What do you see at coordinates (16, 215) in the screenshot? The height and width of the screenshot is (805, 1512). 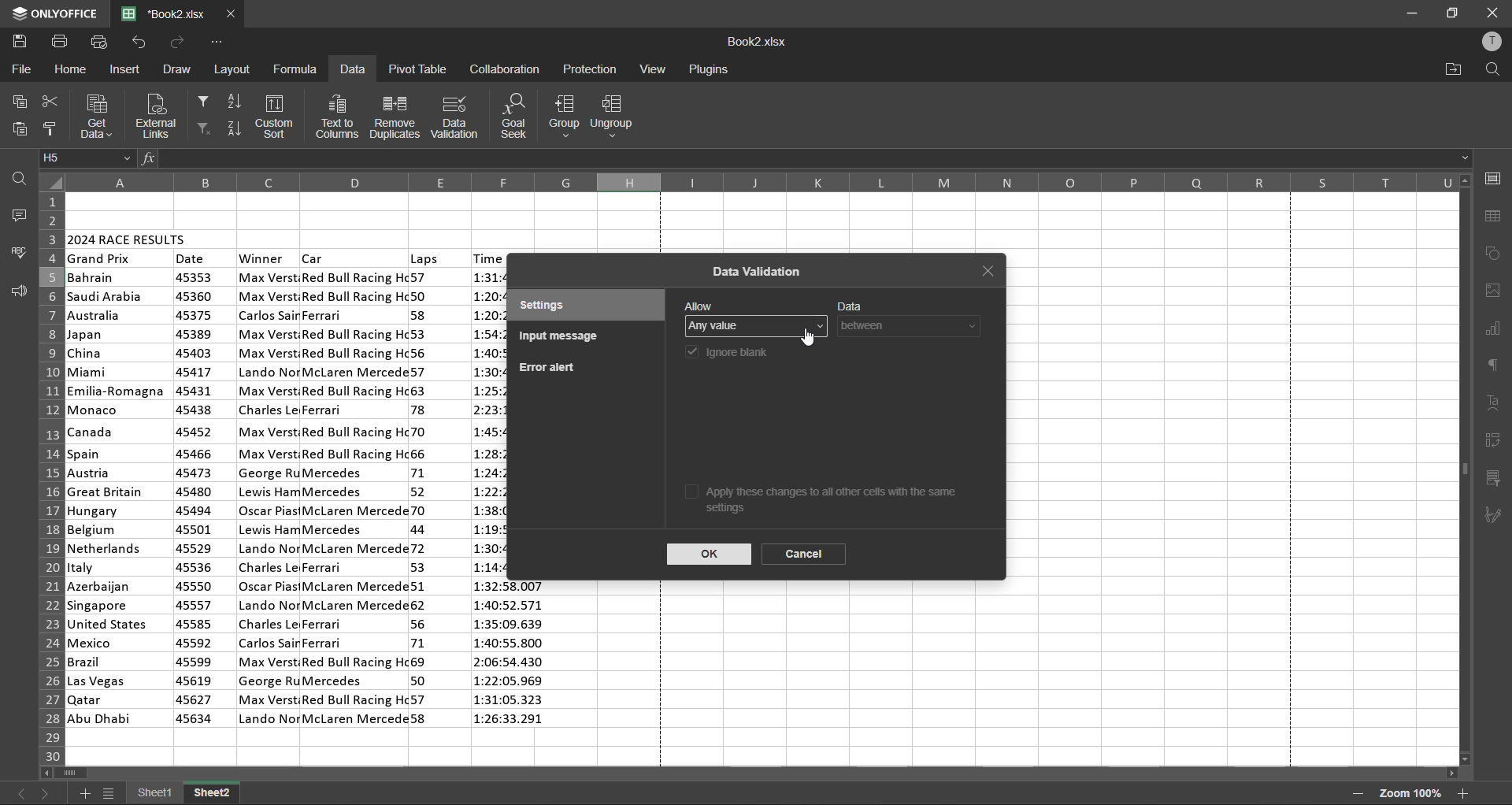 I see `comments` at bounding box center [16, 215].